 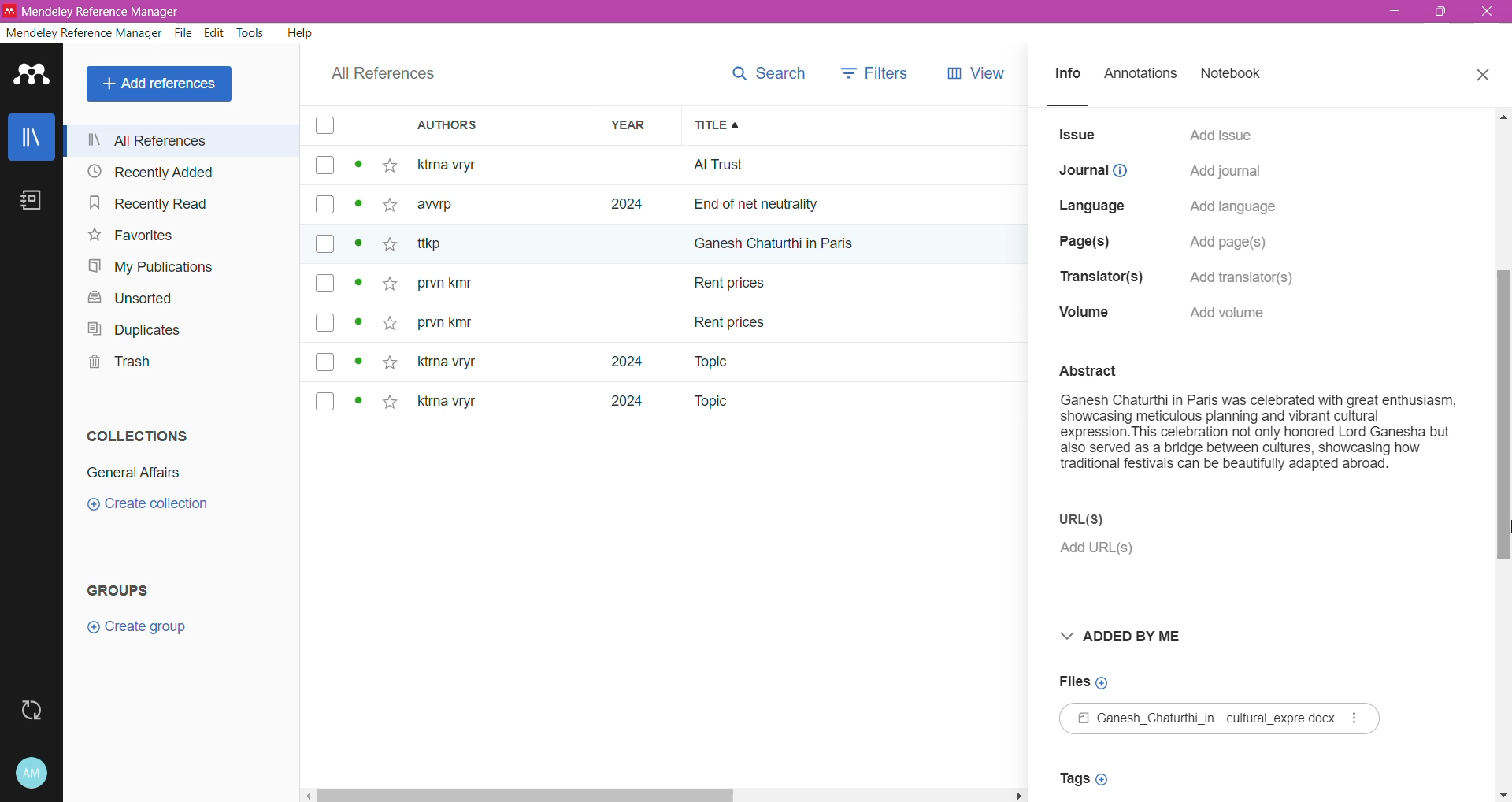 What do you see at coordinates (1085, 681) in the screenshot?
I see `Files` at bounding box center [1085, 681].